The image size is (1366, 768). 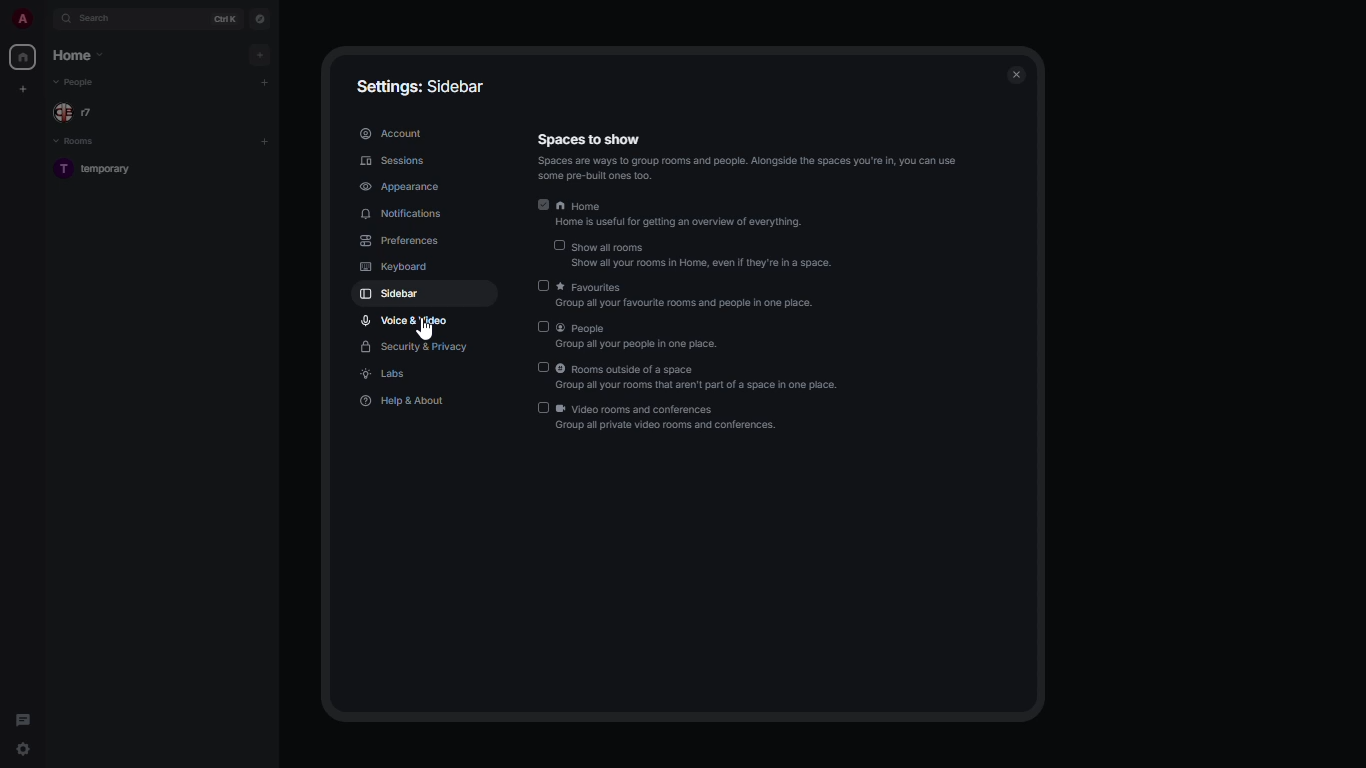 I want to click on disabled, so click(x=542, y=326).